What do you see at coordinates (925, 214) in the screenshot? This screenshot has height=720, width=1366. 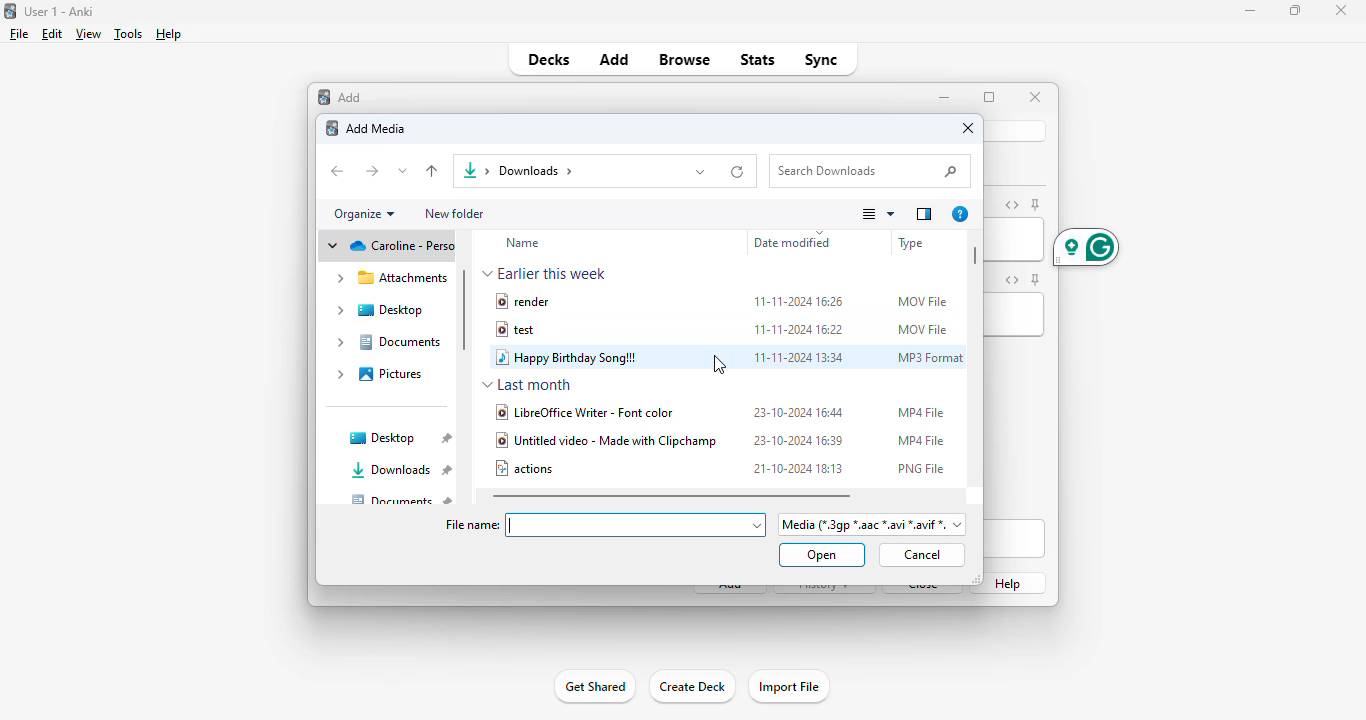 I see `show the preview pane` at bounding box center [925, 214].